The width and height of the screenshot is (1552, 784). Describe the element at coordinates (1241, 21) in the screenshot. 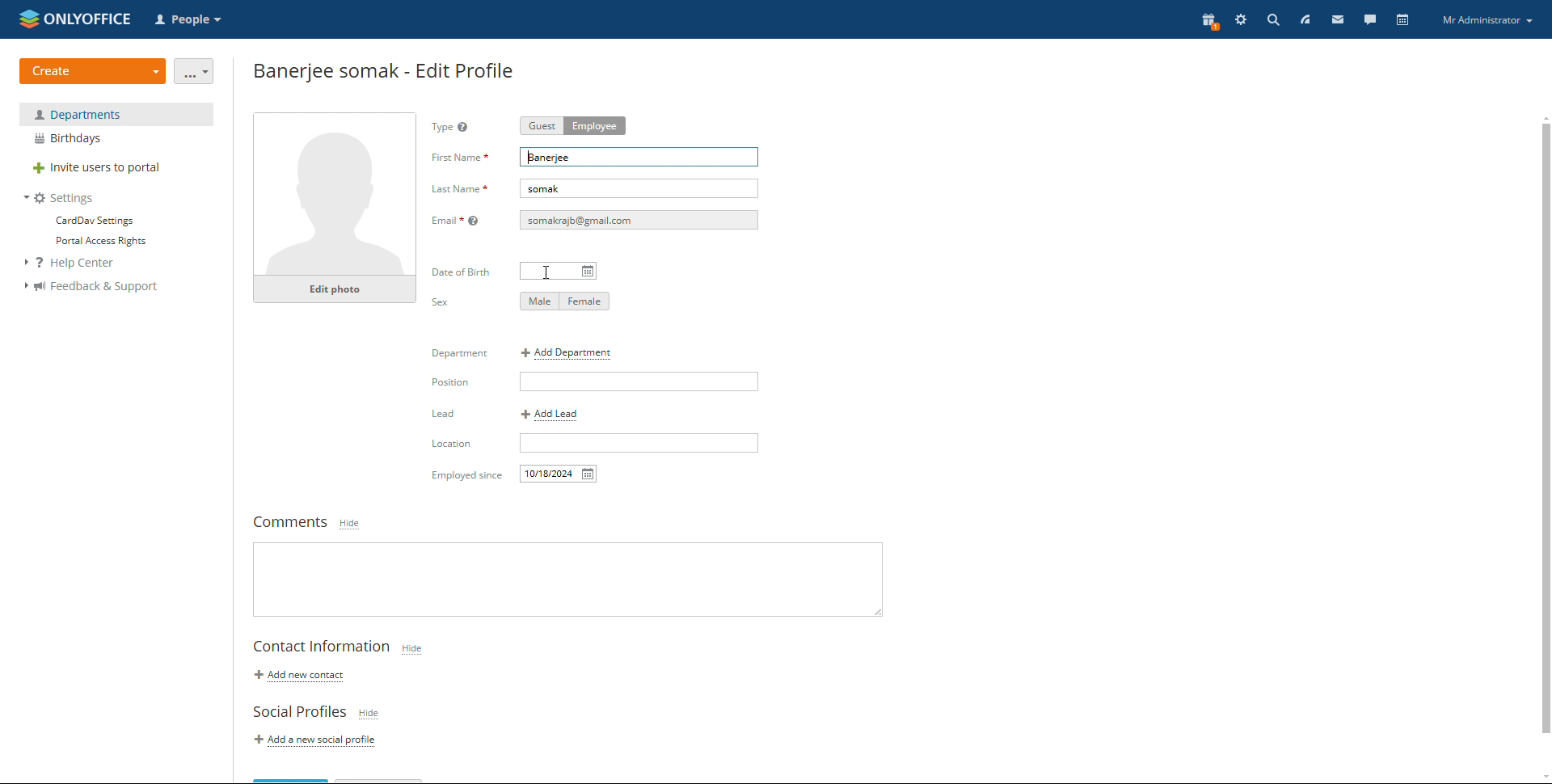

I see `settings` at that location.